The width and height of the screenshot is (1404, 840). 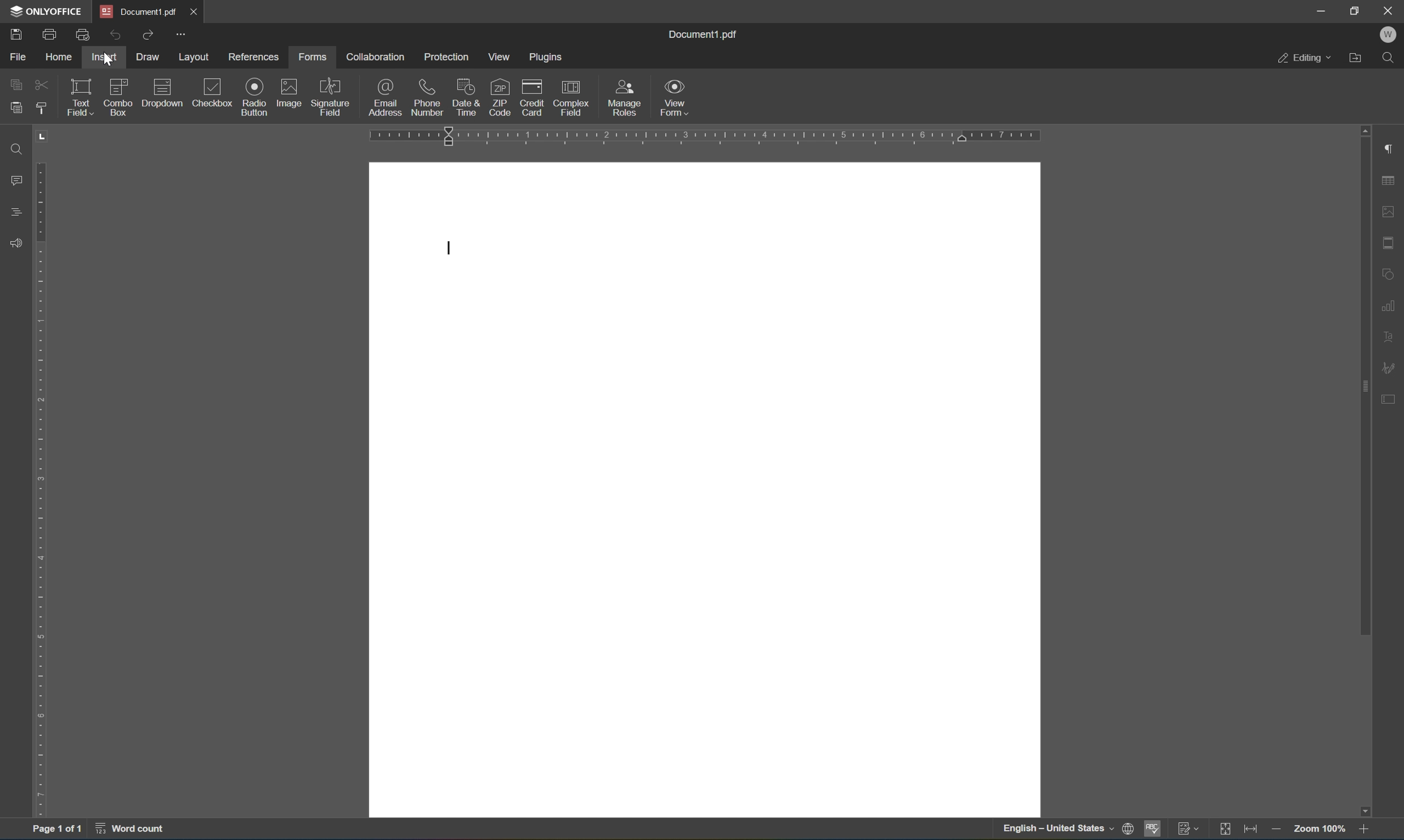 What do you see at coordinates (14, 243) in the screenshot?
I see `Feedback and support` at bounding box center [14, 243].